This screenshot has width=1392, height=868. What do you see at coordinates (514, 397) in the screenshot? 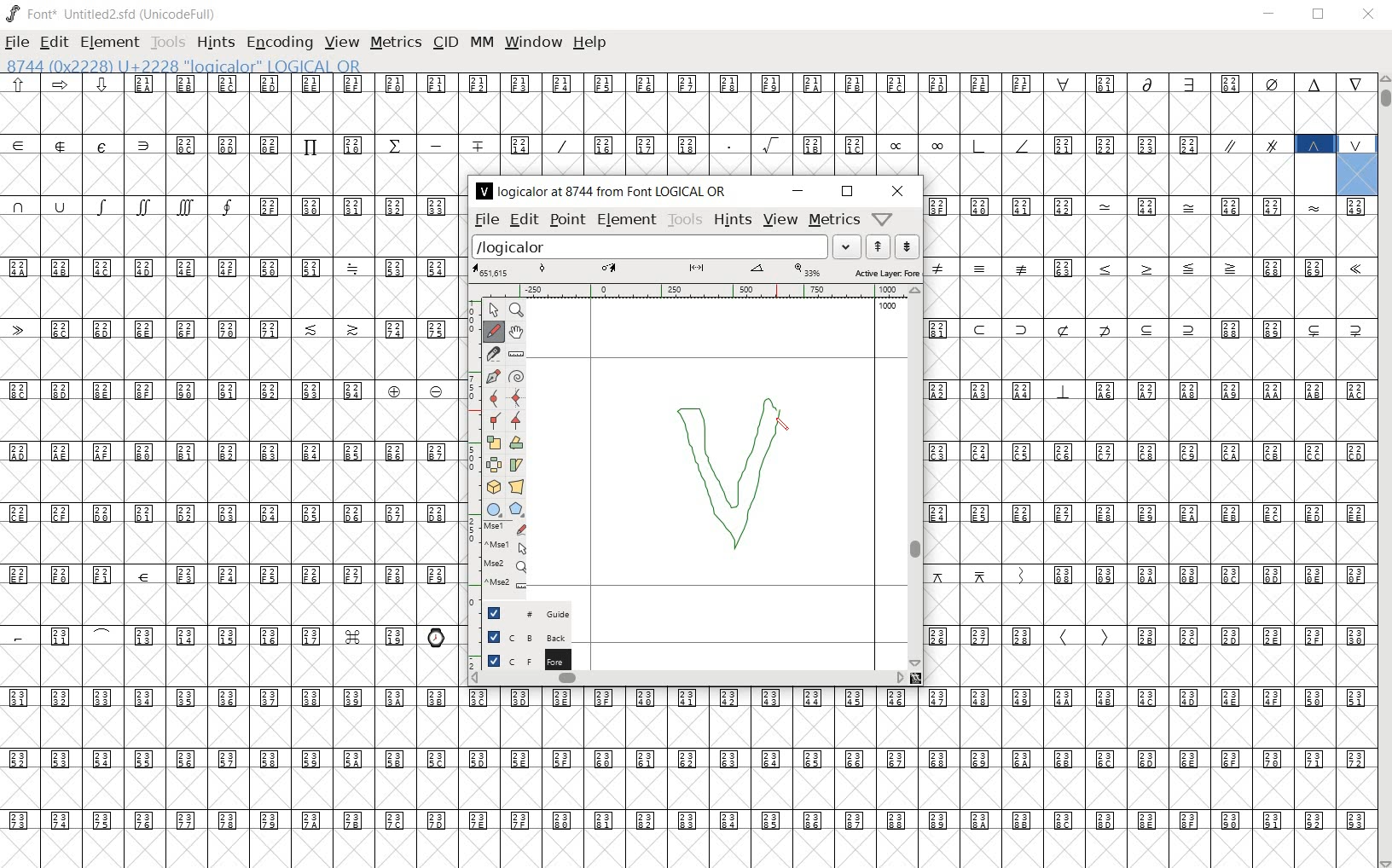
I see `add a curve point always either horizontal or vertical` at bounding box center [514, 397].